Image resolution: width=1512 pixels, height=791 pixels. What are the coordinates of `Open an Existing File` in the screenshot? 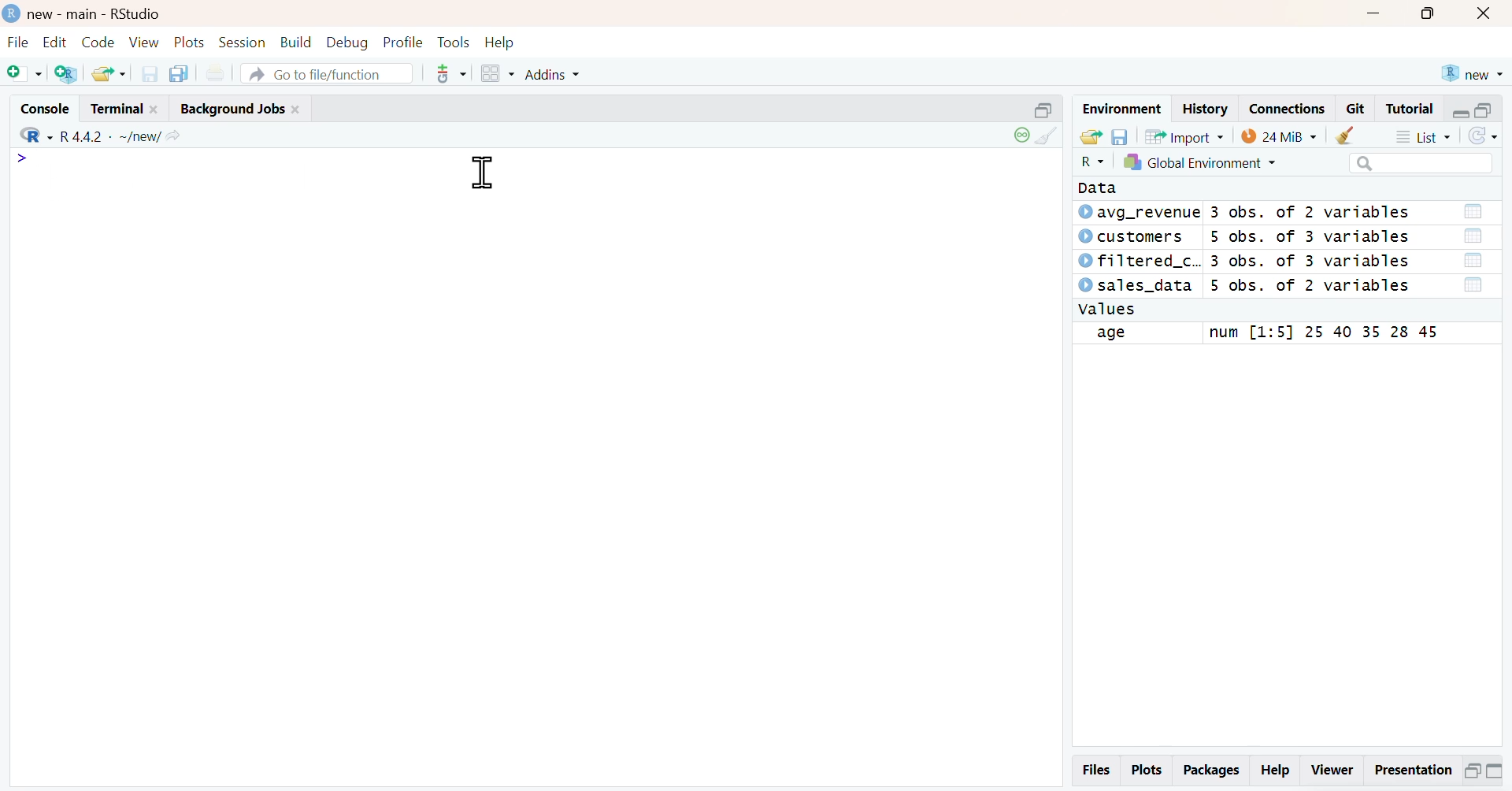 It's located at (108, 74).